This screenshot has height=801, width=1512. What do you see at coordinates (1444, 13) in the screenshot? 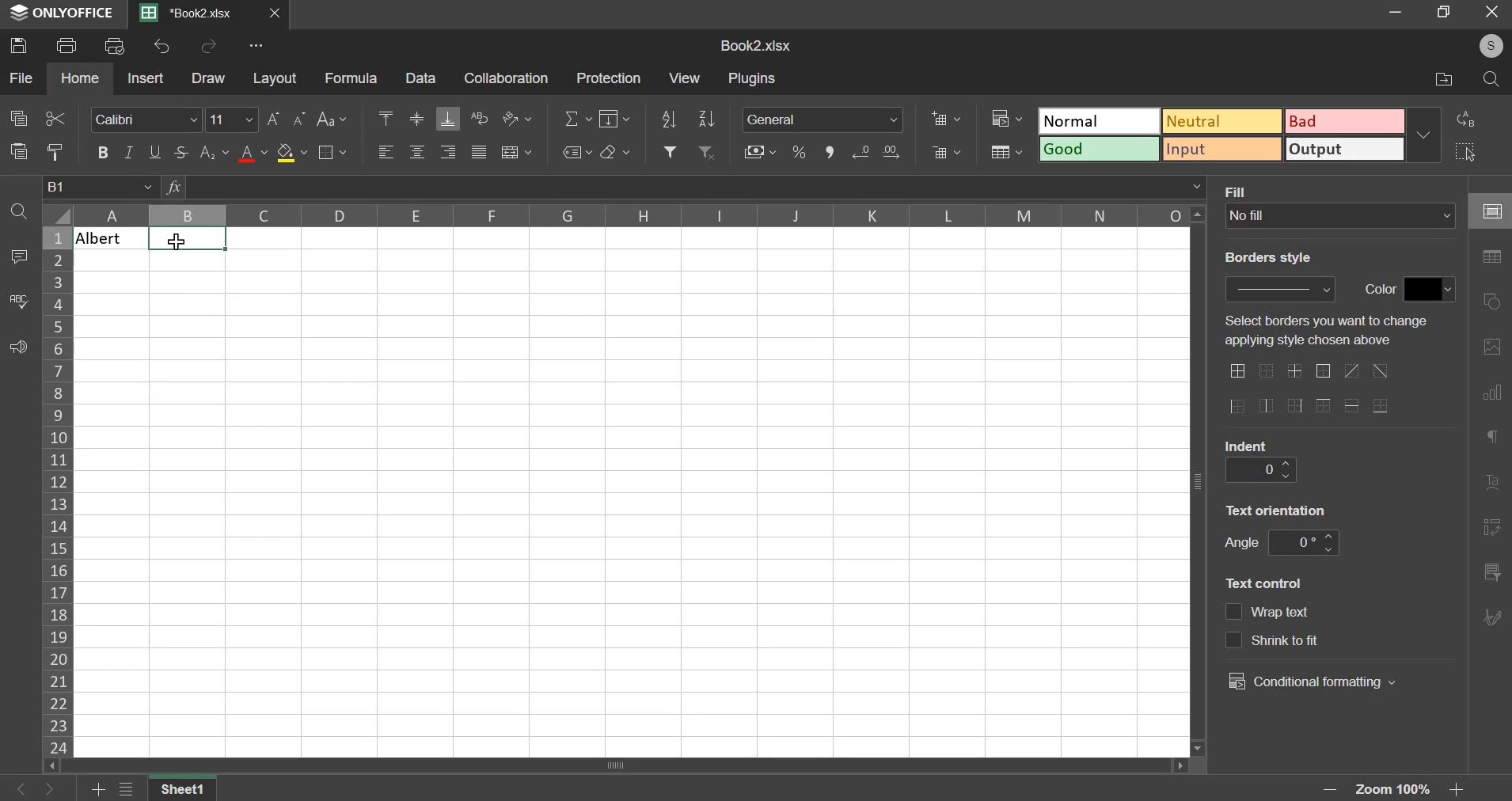
I see `maximise` at bounding box center [1444, 13].